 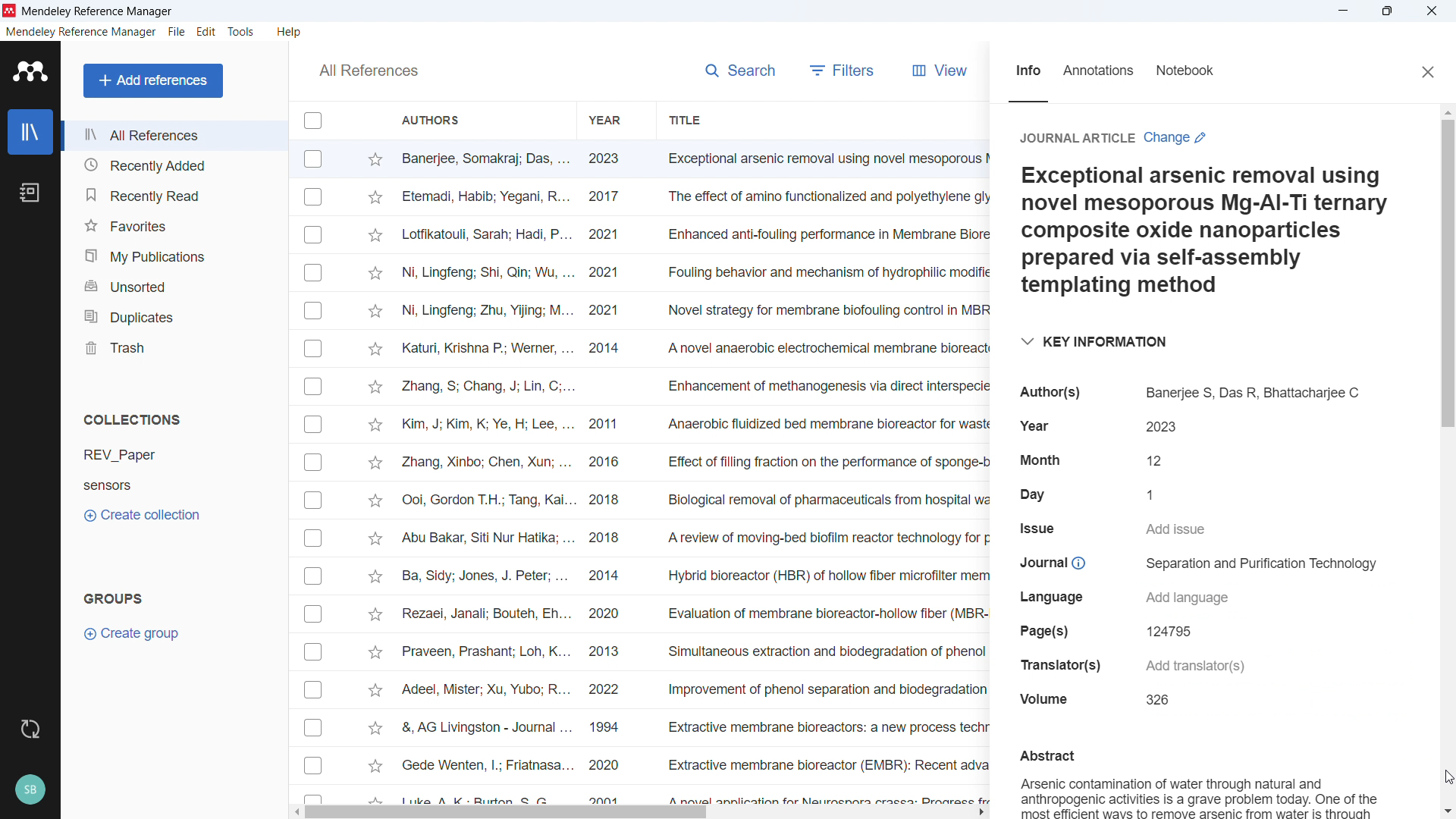 What do you see at coordinates (480, 726) in the screenshot?
I see `& ag livingston-journal` at bounding box center [480, 726].